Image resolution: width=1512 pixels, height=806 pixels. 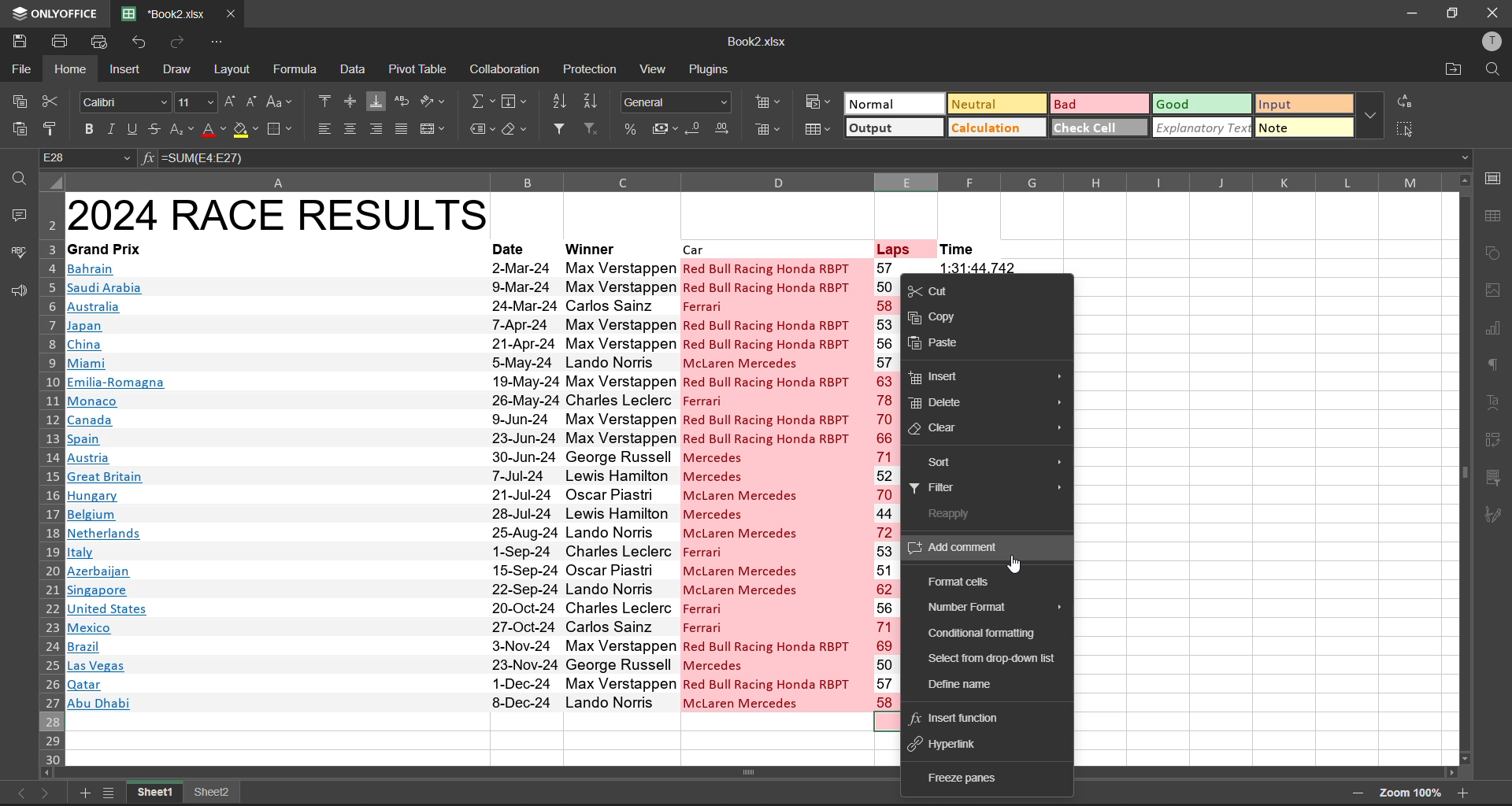 I want to click on date, so click(x=510, y=248).